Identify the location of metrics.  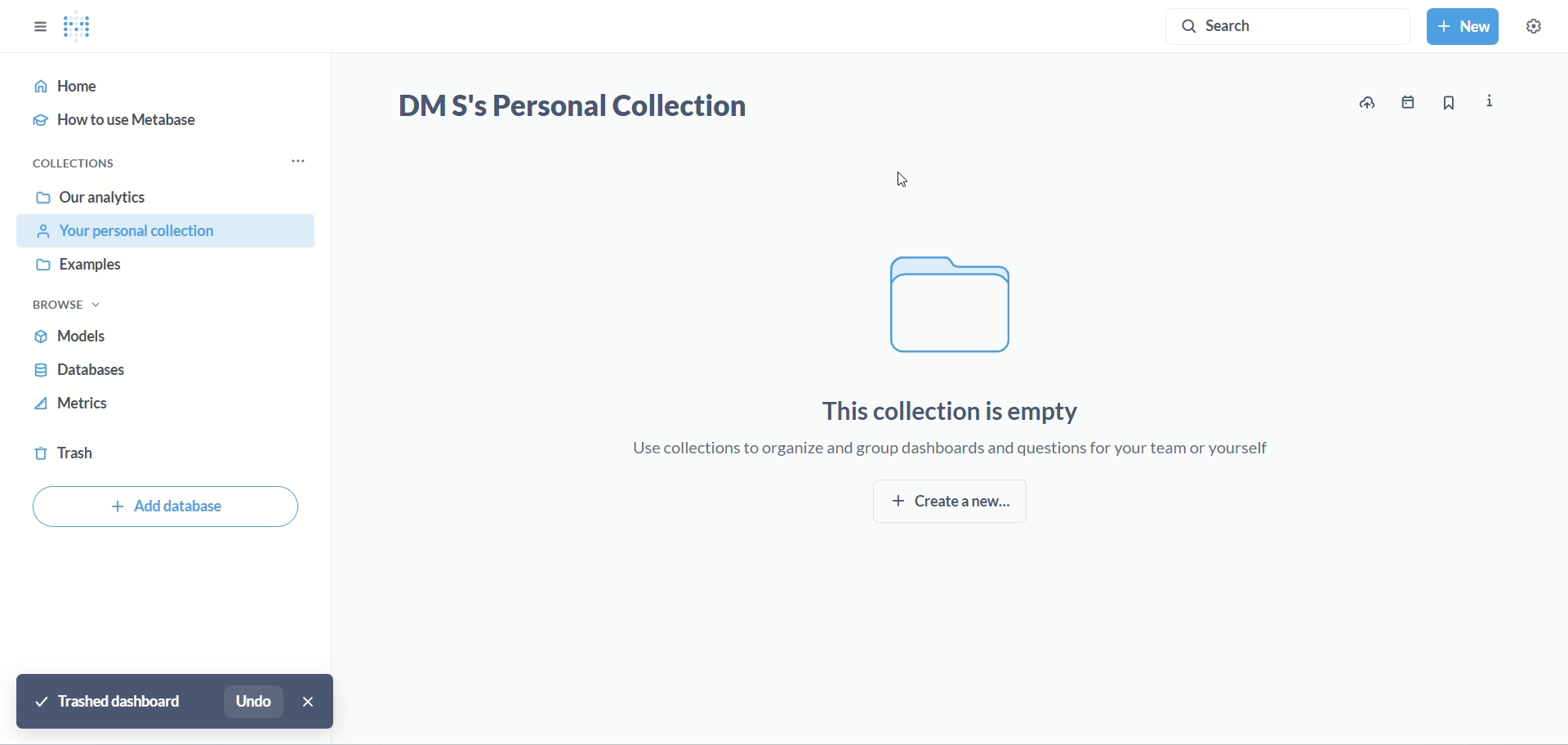
(74, 407).